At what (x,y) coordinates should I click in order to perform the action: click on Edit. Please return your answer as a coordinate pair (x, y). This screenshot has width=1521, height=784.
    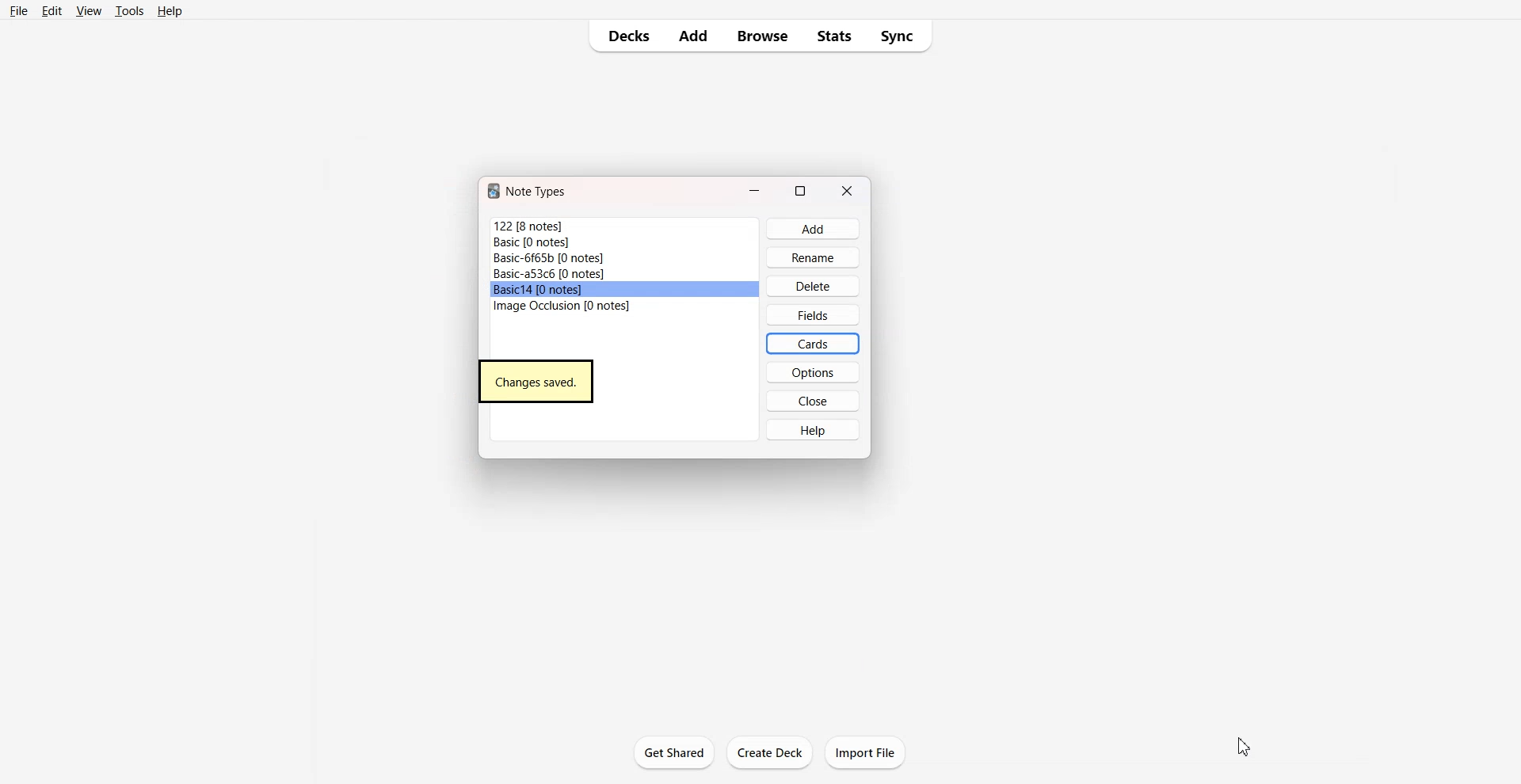
    Looking at the image, I should click on (51, 11).